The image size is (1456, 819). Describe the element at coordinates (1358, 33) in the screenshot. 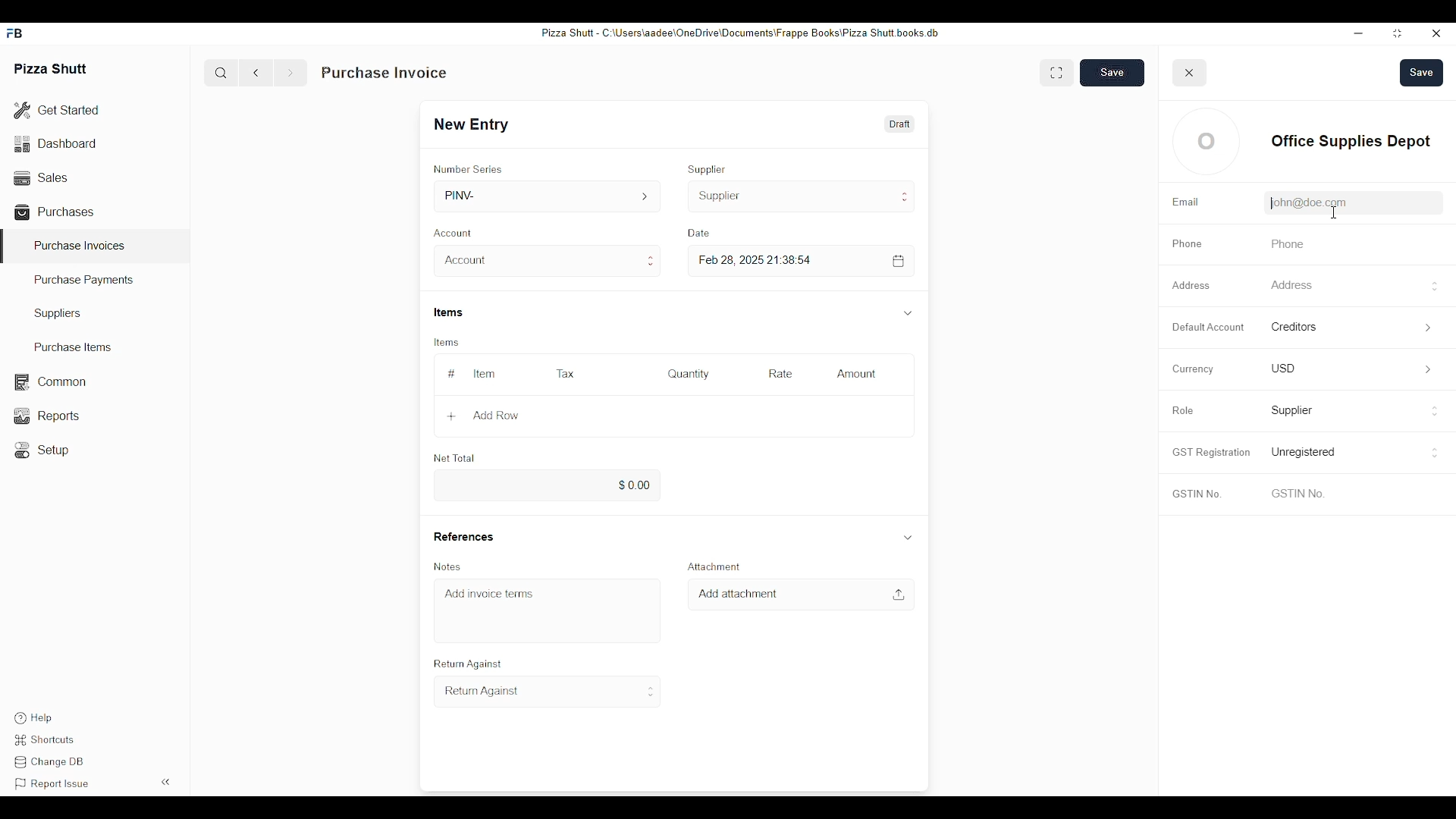

I see `minimize` at that location.